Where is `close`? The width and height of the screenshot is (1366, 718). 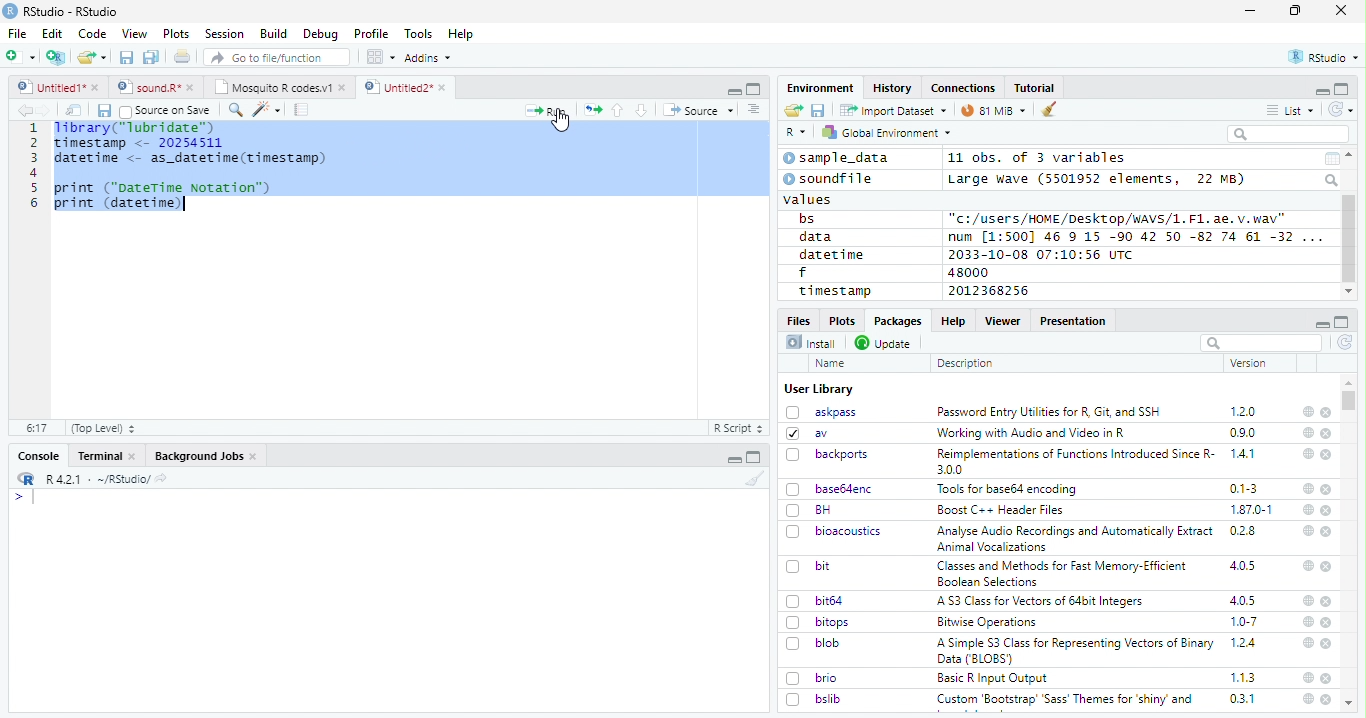 close is located at coordinates (1326, 489).